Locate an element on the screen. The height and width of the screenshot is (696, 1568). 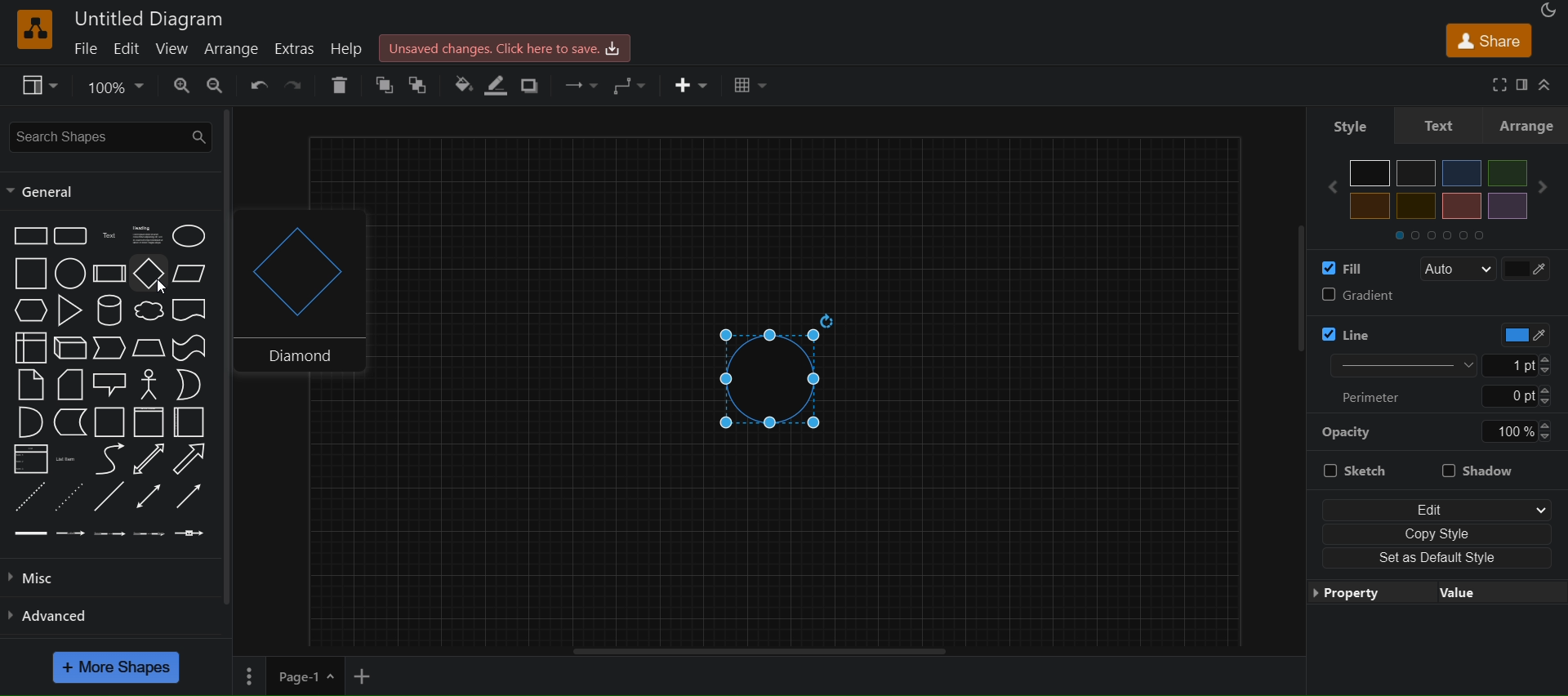
extras is located at coordinates (296, 48).